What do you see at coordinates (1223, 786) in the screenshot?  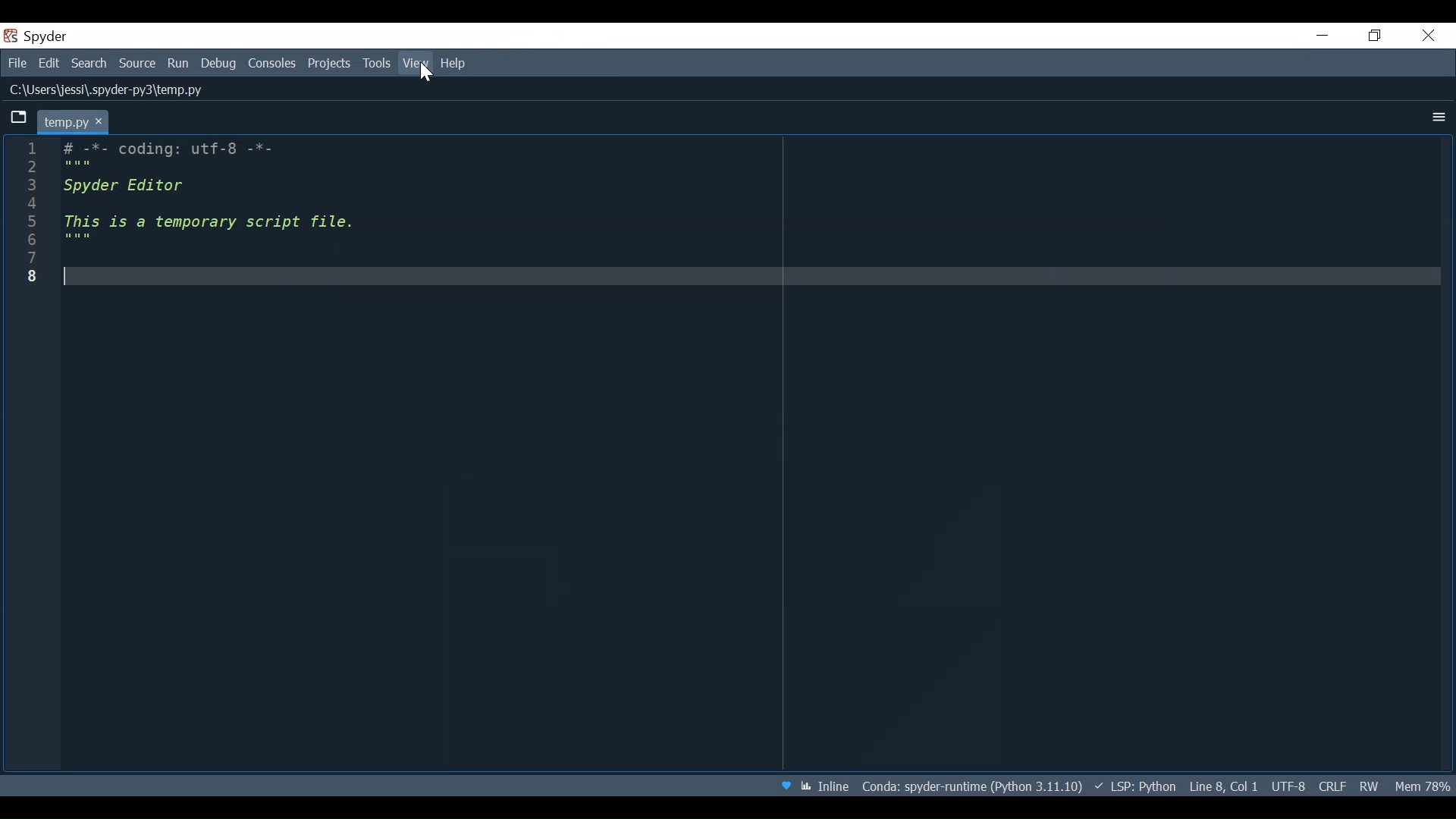 I see `Cursor Position` at bounding box center [1223, 786].